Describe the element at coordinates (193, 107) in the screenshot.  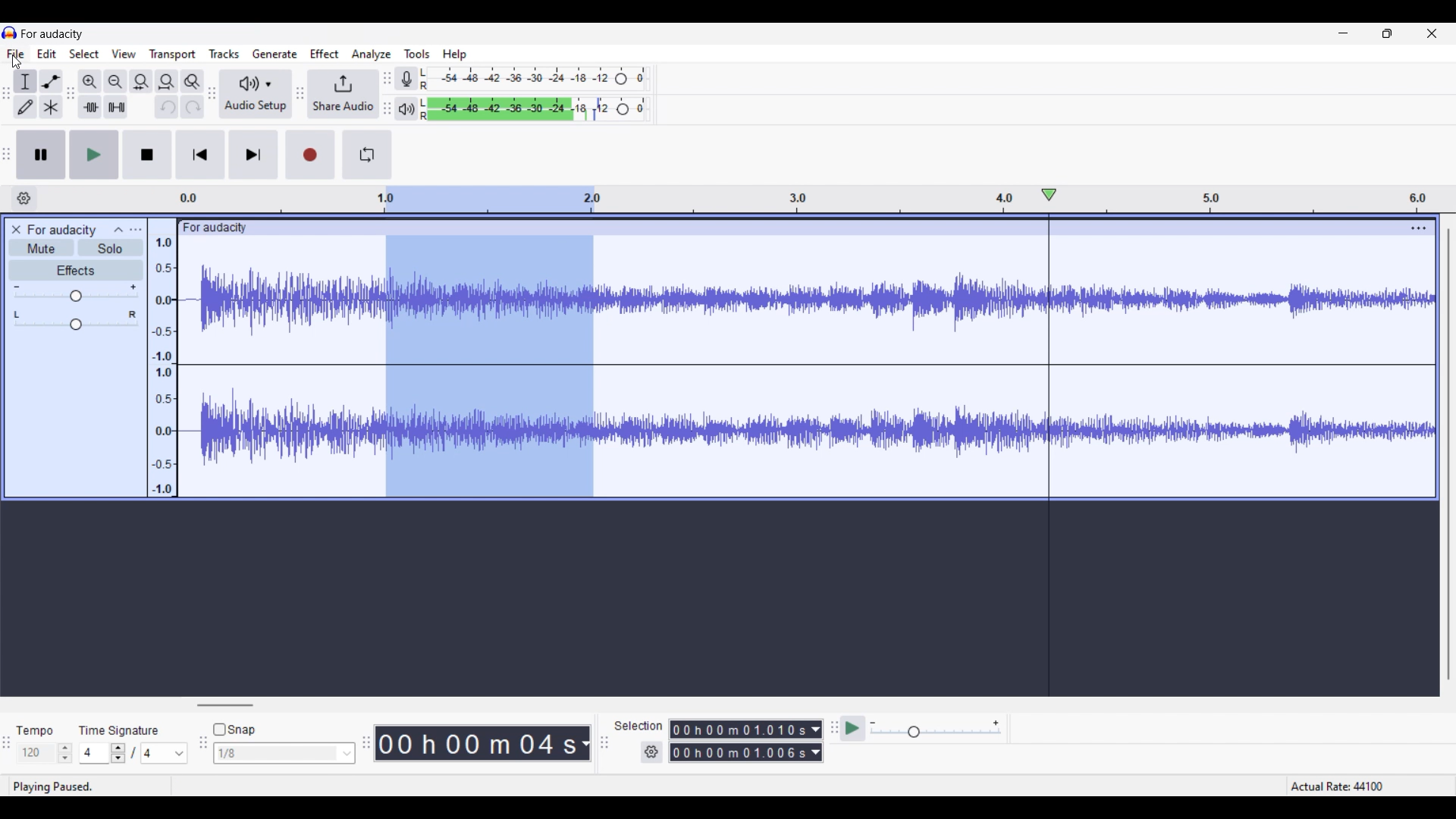
I see `Redo` at that location.